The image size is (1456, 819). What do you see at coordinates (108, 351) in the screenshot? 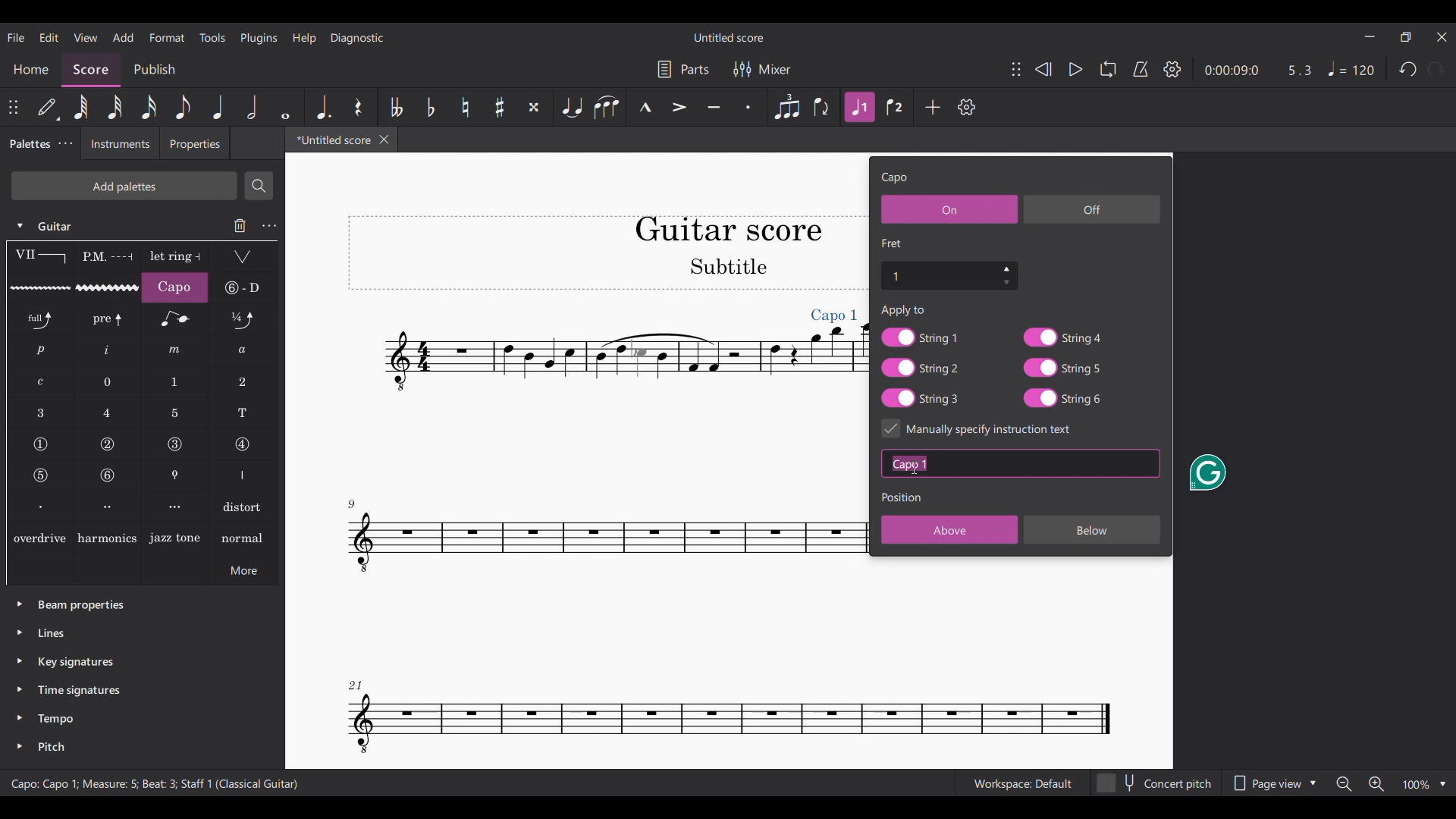
I see `RH guitar fingering i` at bounding box center [108, 351].